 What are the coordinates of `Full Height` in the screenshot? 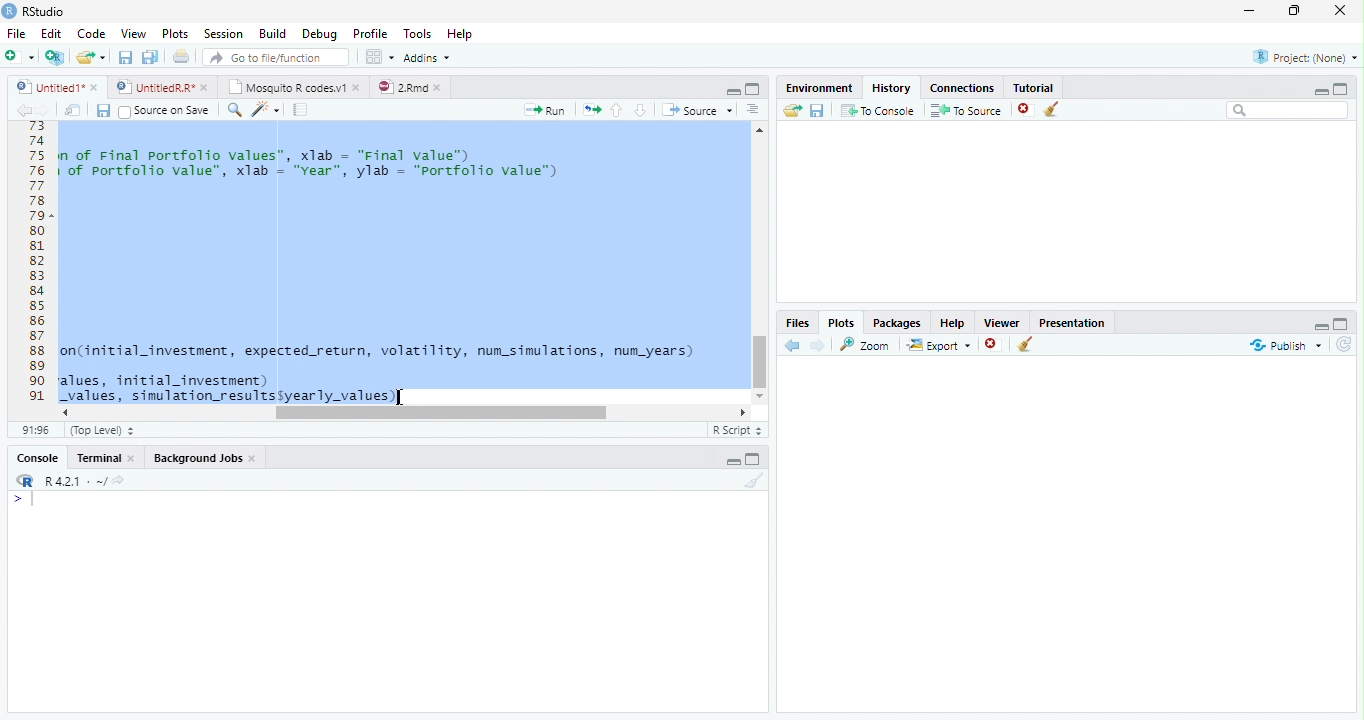 It's located at (1343, 322).